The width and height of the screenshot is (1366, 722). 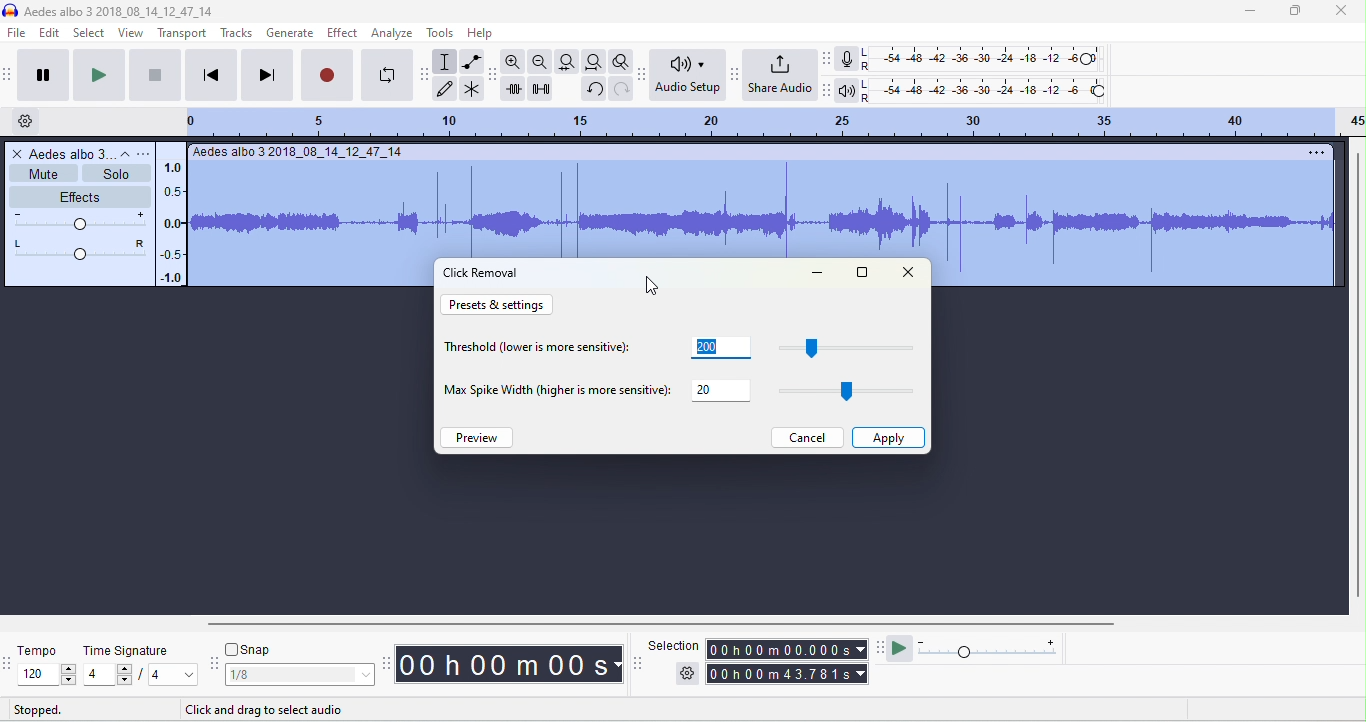 I want to click on undo, so click(x=596, y=89).